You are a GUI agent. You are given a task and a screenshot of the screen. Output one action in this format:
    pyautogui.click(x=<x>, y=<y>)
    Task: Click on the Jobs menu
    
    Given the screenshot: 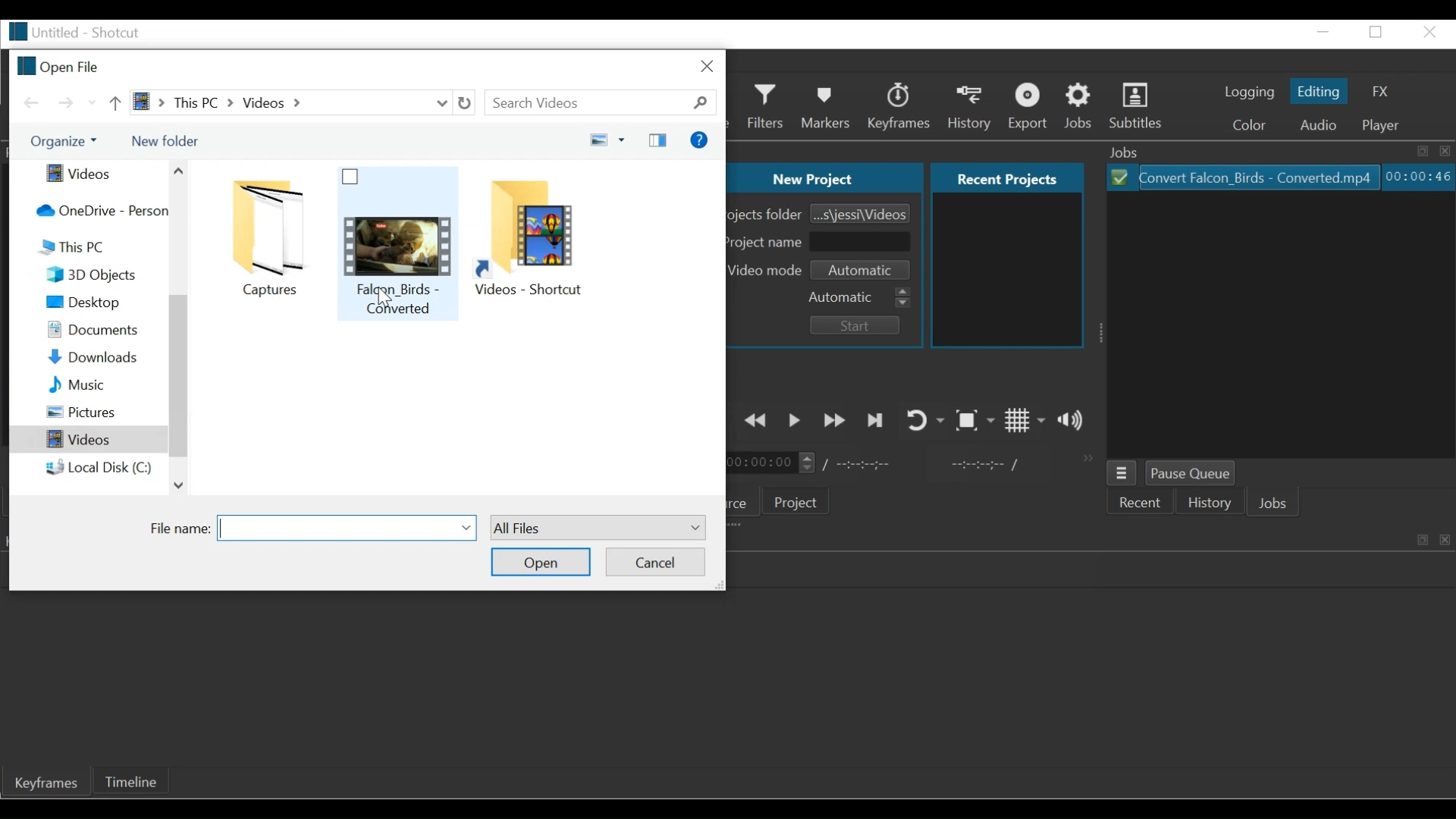 What is the action you would take?
    pyautogui.click(x=1123, y=472)
    